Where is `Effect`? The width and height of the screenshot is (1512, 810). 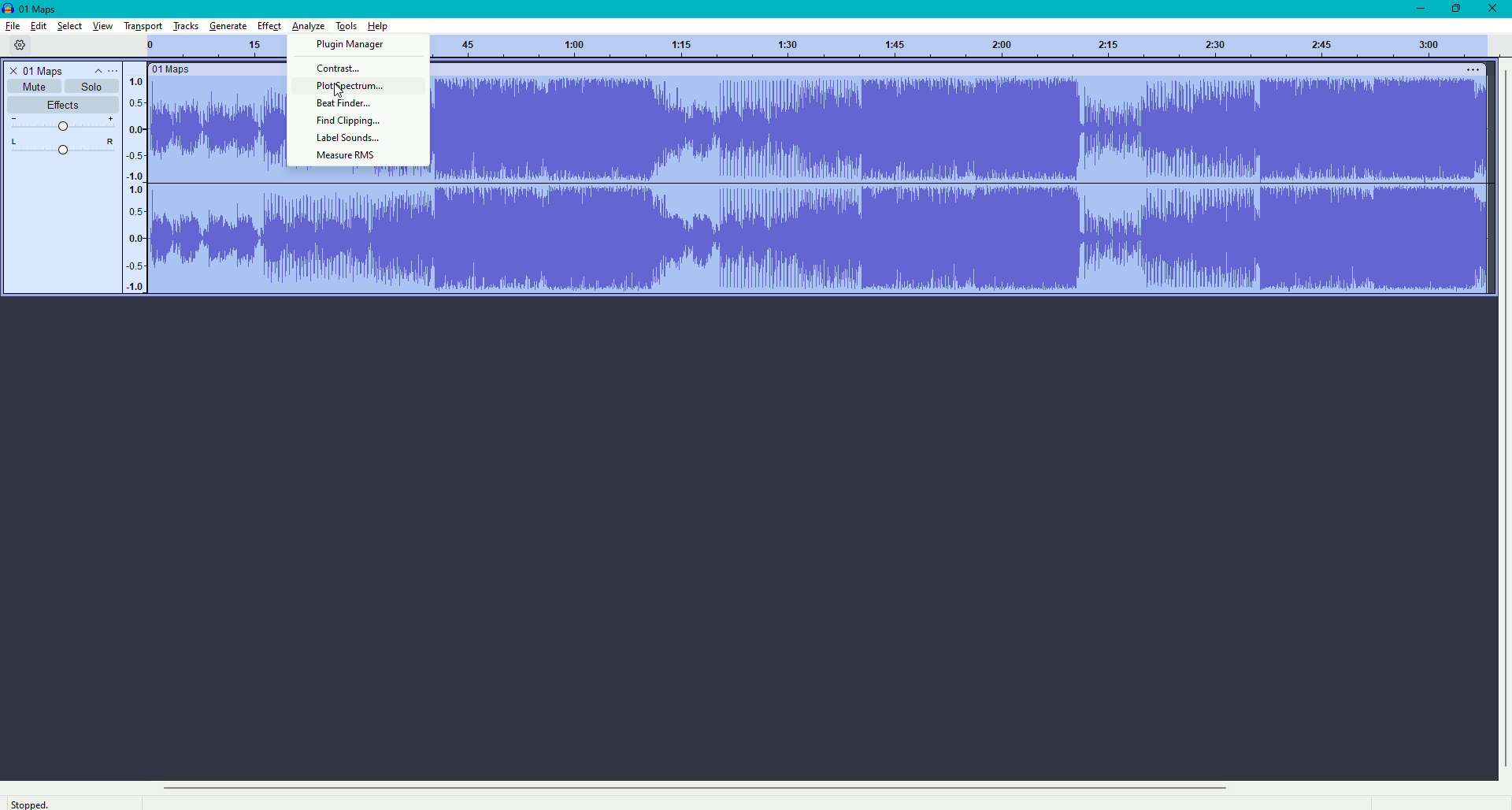
Effect is located at coordinates (265, 26).